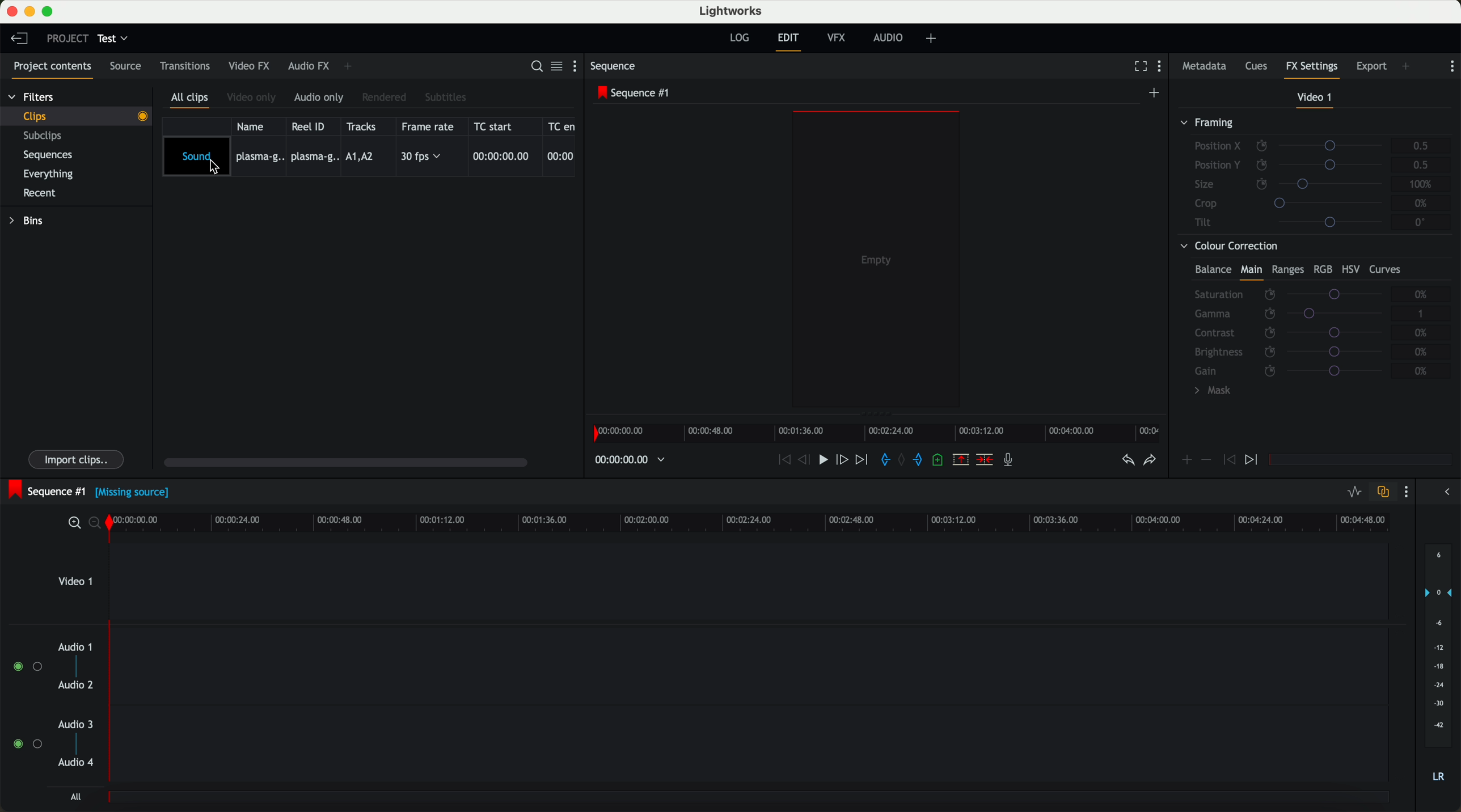 The height and width of the screenshot is (812, 1461). I want to click on audio only, so click(320, 98).